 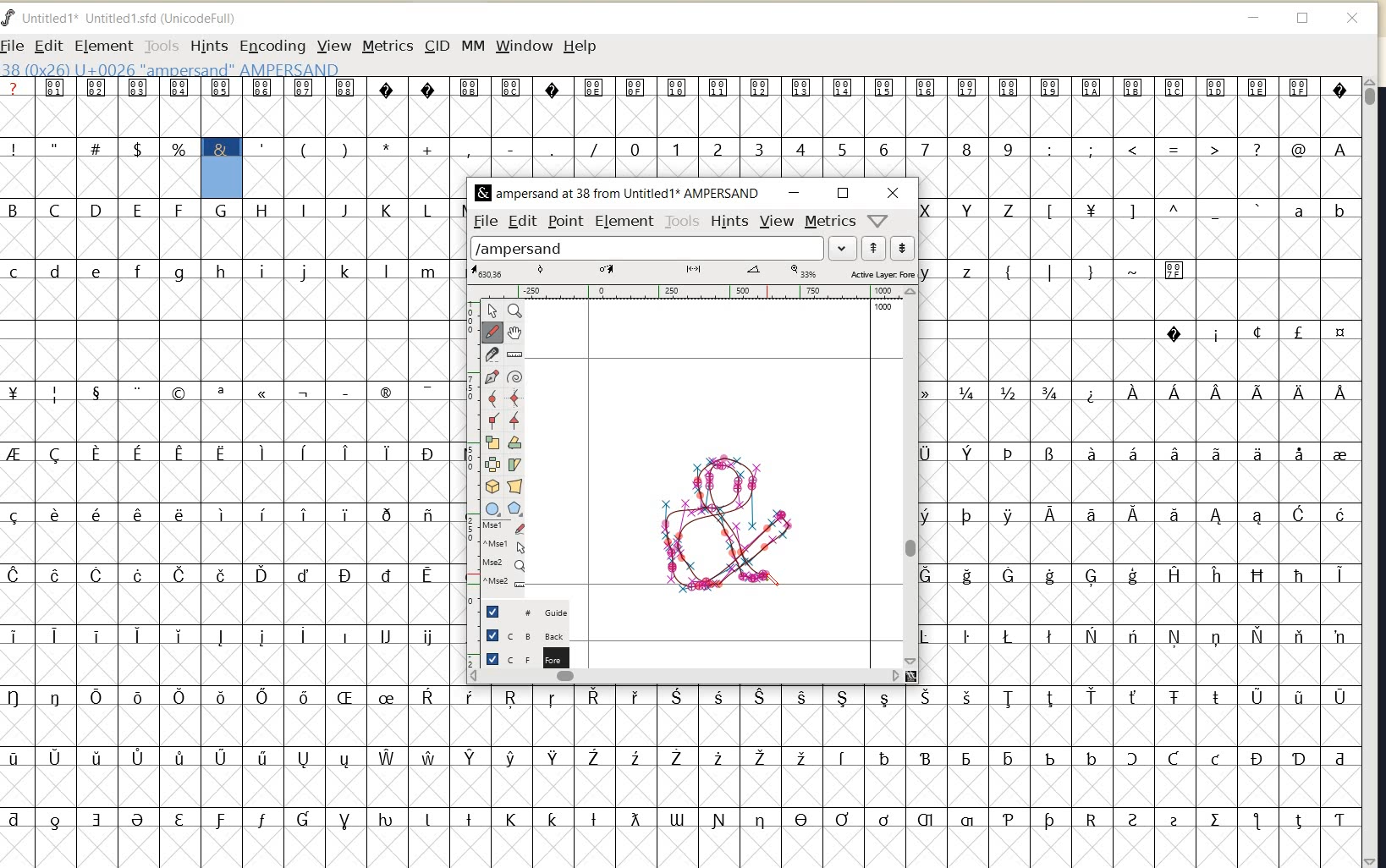 What do you see at coordinates (778, 222) in the screenshot?
I see `VIEW` at bounding box center [778, 222].